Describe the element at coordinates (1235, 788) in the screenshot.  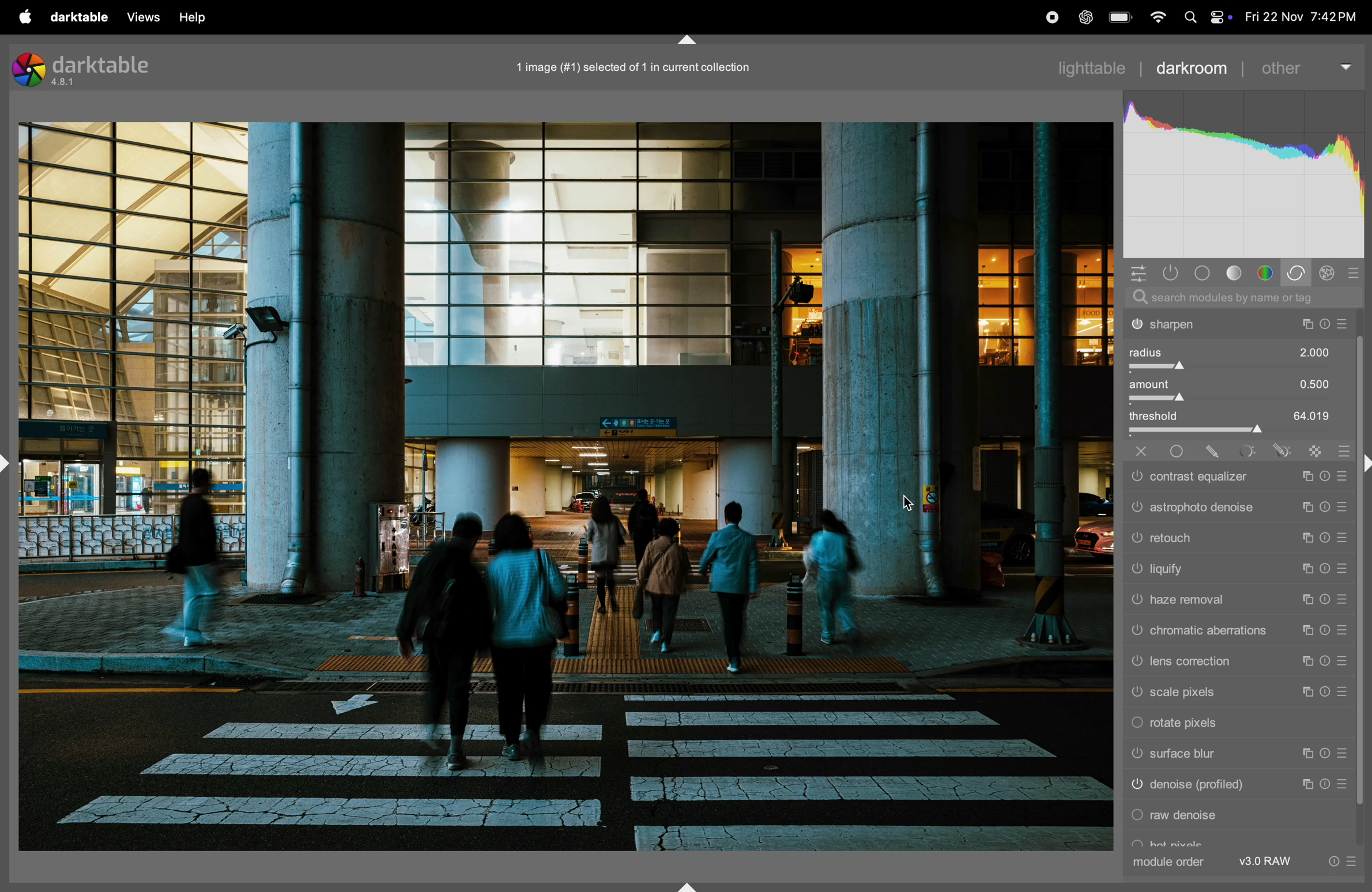
I see `denoise profile` at that location.